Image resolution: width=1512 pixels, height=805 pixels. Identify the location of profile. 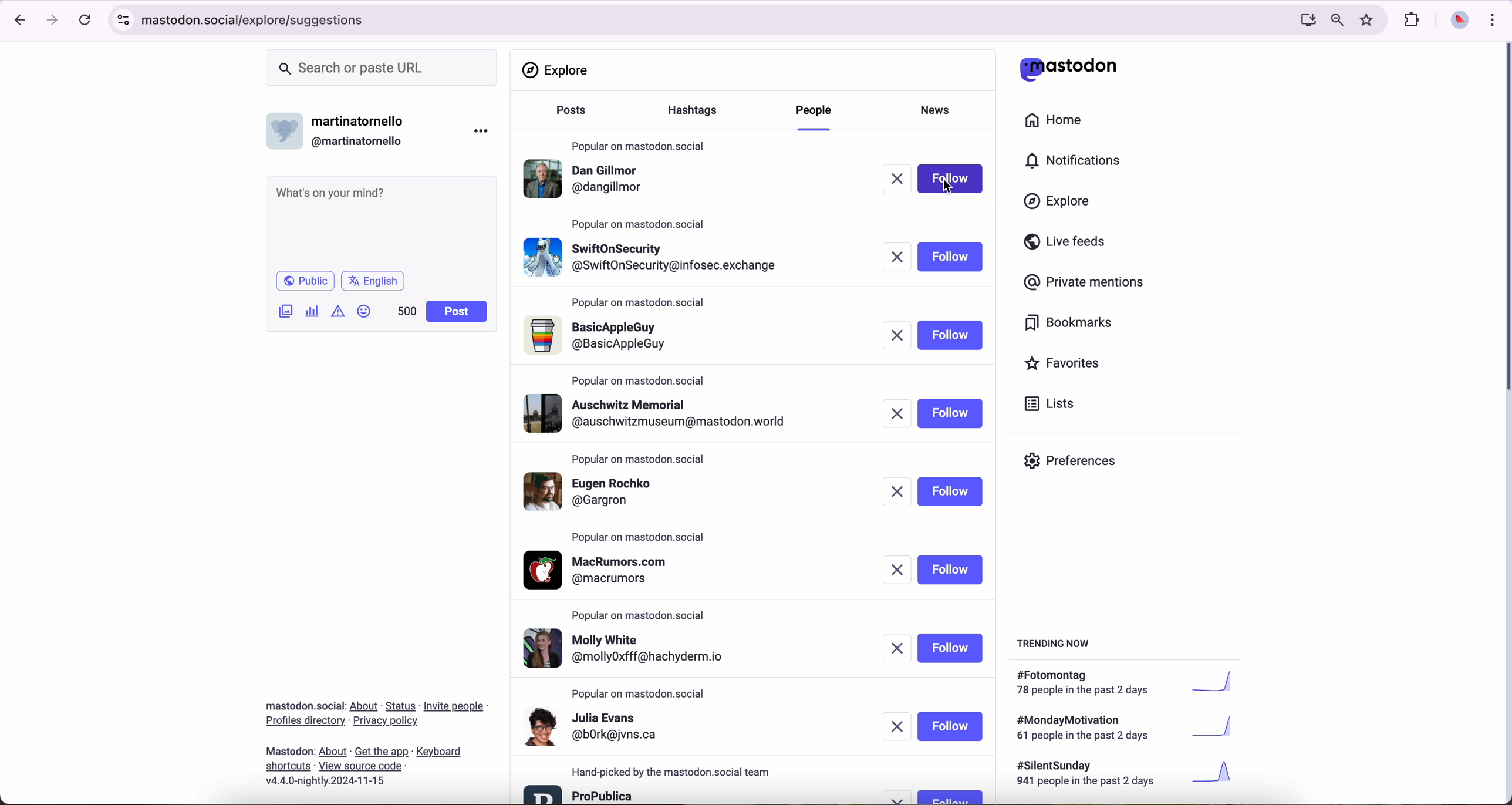
(588, 181).